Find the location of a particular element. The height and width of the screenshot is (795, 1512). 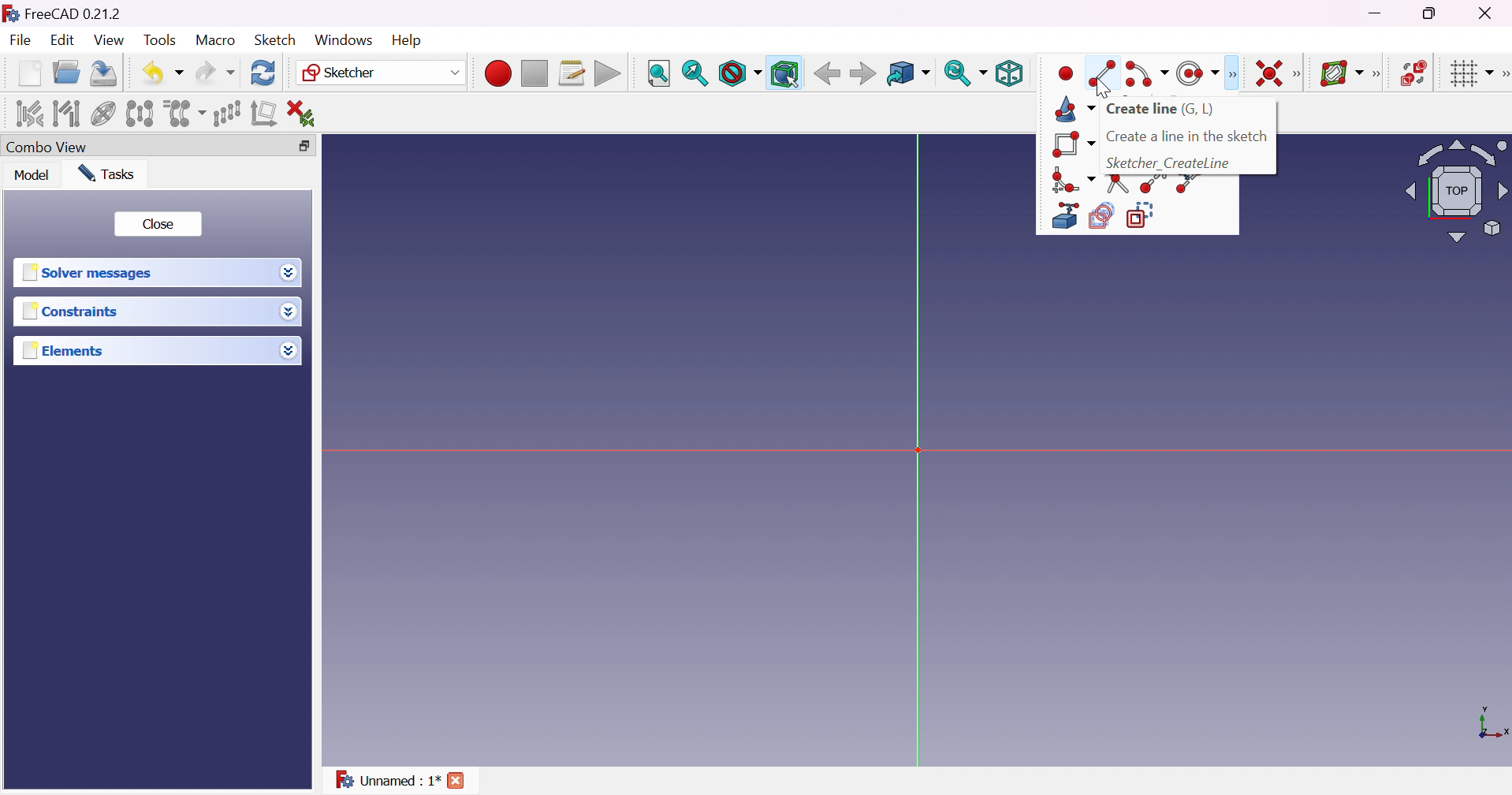

Isometric is located at coordinates (1013, 73).